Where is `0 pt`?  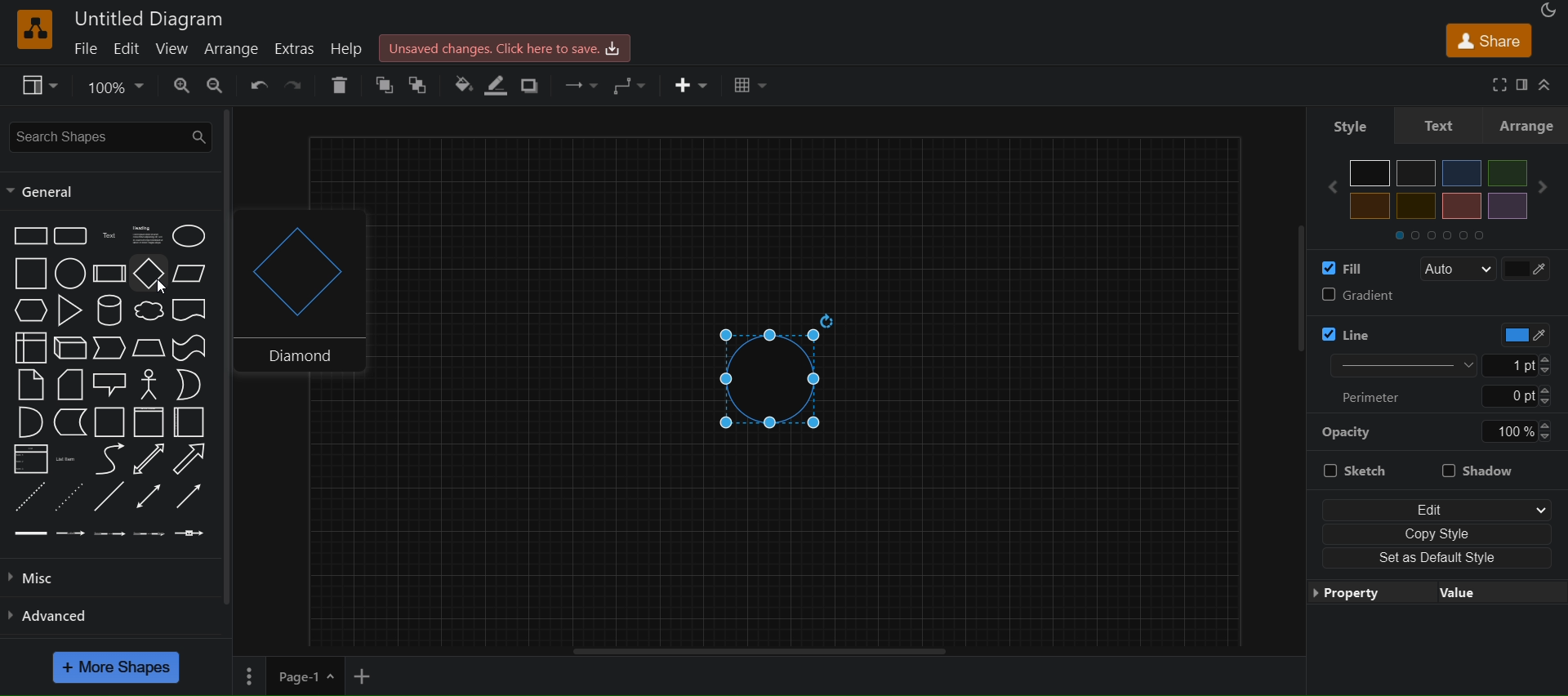
0 pt is located at coordinates (1525, 395).